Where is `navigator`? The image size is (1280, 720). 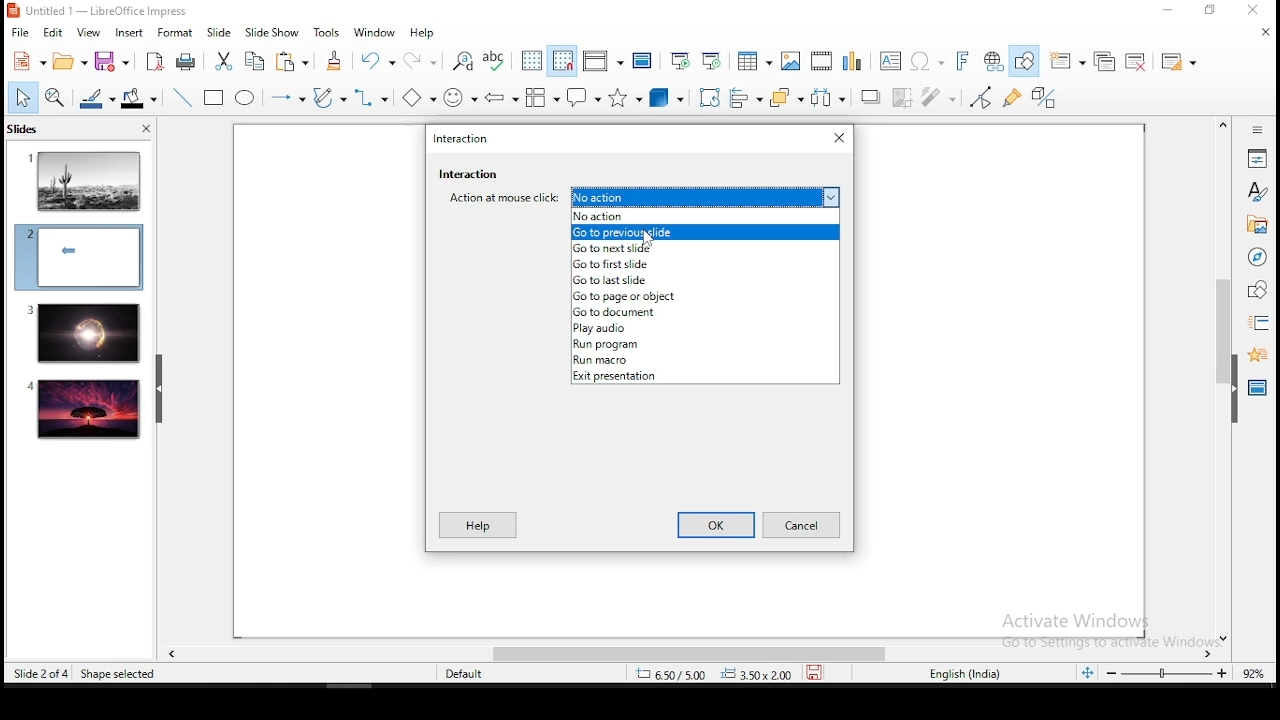
navigator is located at coordinates (1256, 259).